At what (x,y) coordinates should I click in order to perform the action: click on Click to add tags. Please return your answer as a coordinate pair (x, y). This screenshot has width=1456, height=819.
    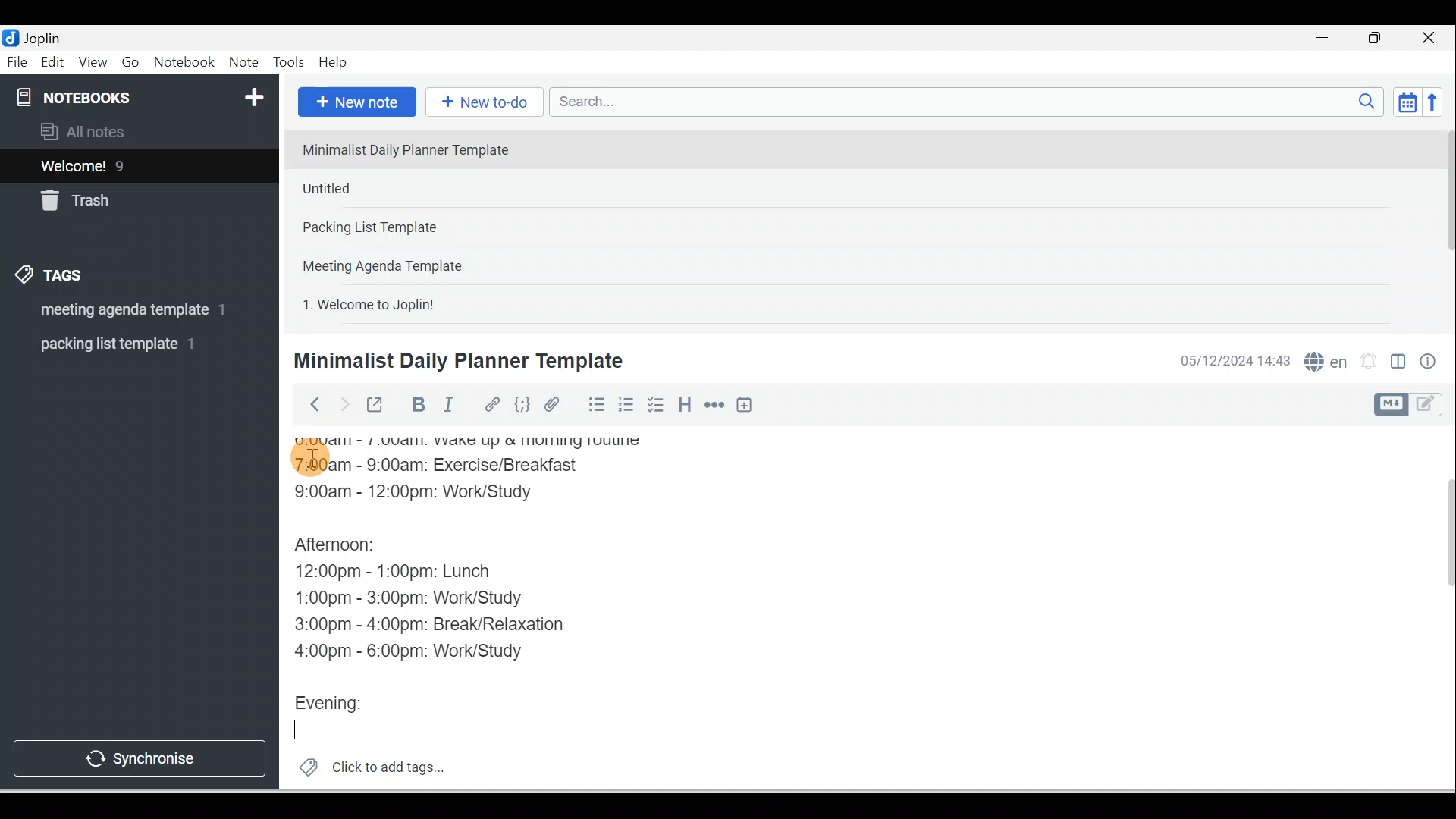
    Looking at the image, I should click on (366, 765).